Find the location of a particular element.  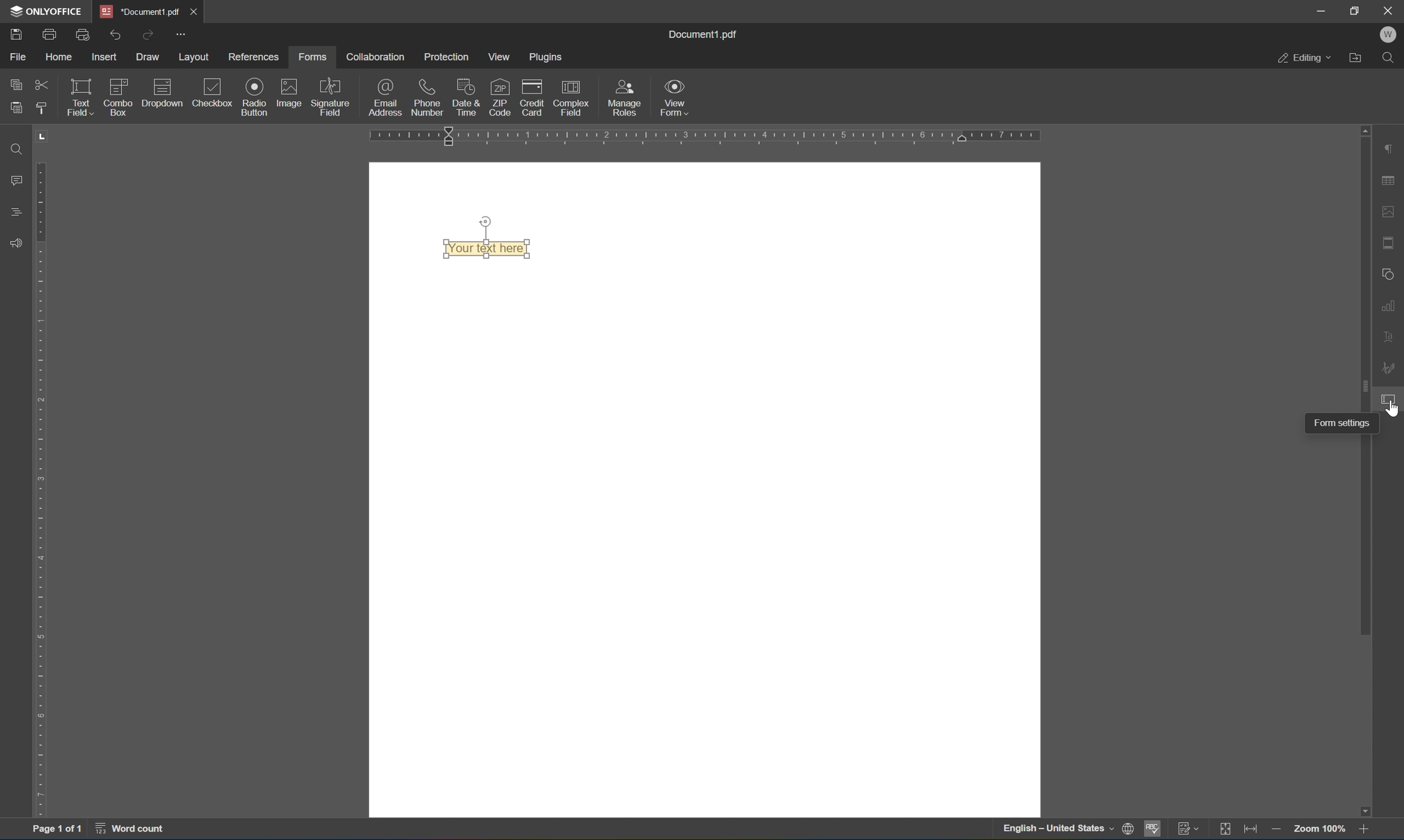

paste is located at coordinates (16, 108).